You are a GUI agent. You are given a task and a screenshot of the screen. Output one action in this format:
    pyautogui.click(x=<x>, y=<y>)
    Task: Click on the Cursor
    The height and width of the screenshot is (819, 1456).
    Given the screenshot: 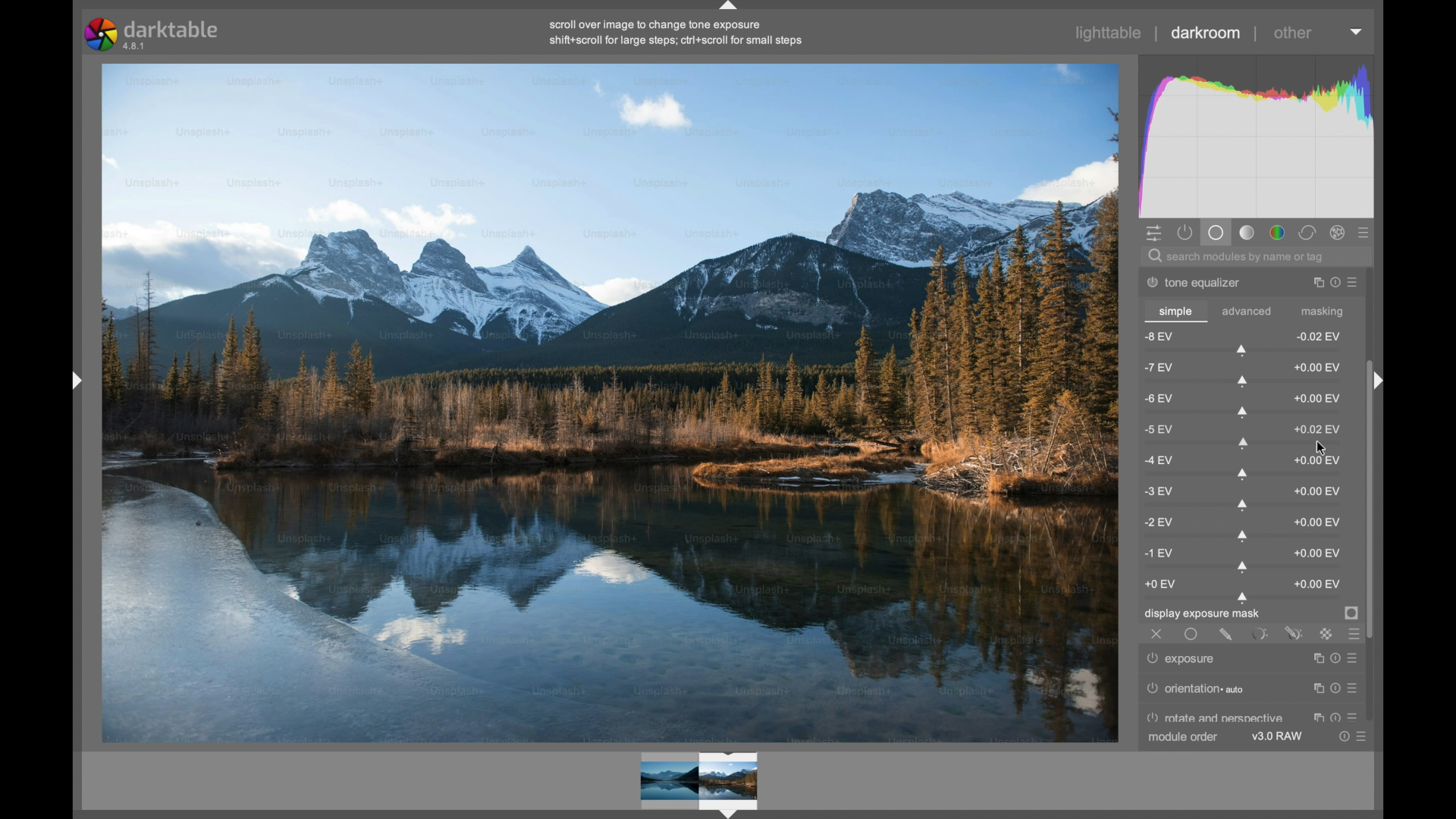 What is the action you would take?
    pyautogui.click(x=1320, y=452)
    